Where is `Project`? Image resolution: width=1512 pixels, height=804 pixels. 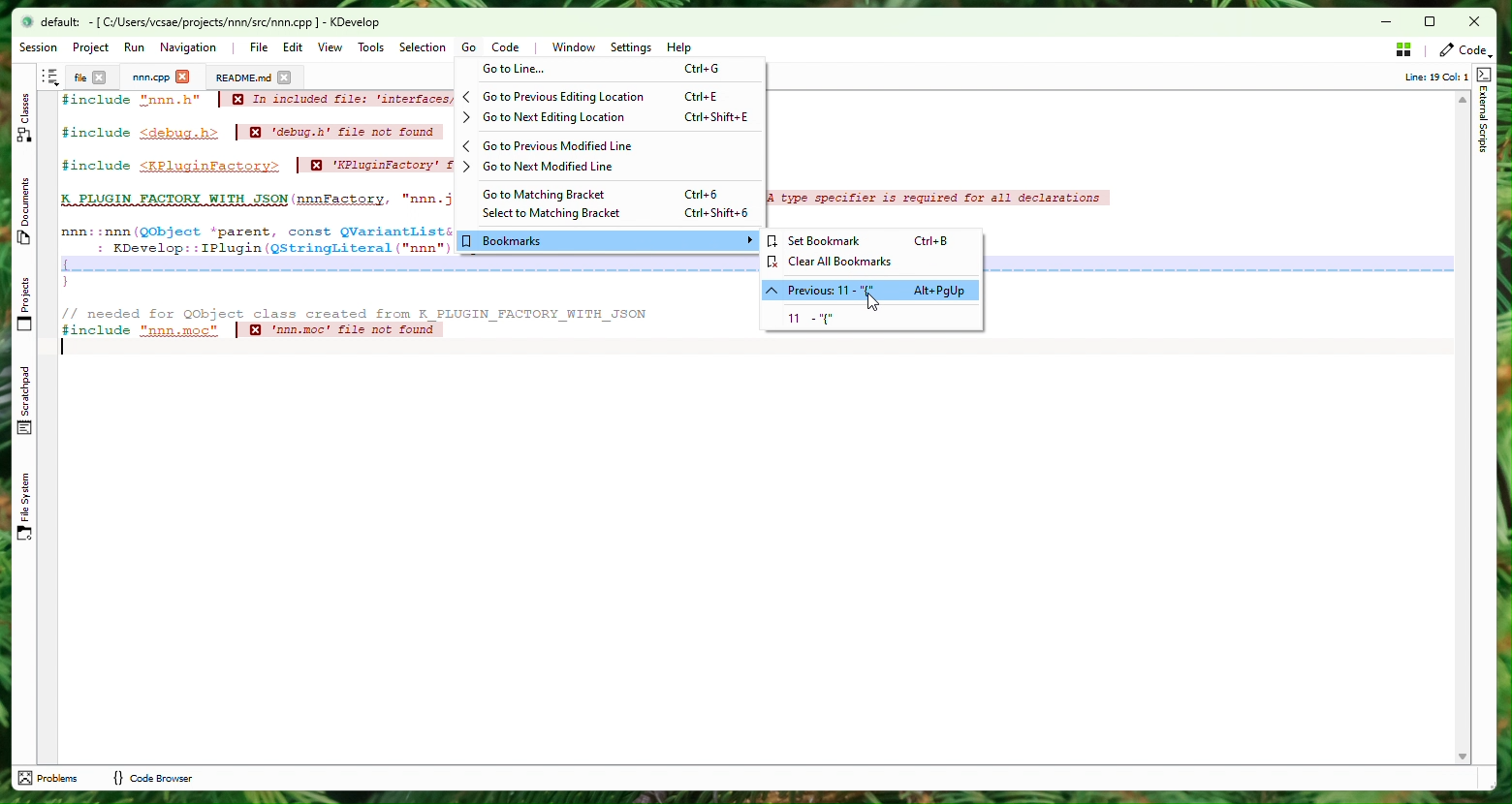 Project is located at coordinates (90, 47).